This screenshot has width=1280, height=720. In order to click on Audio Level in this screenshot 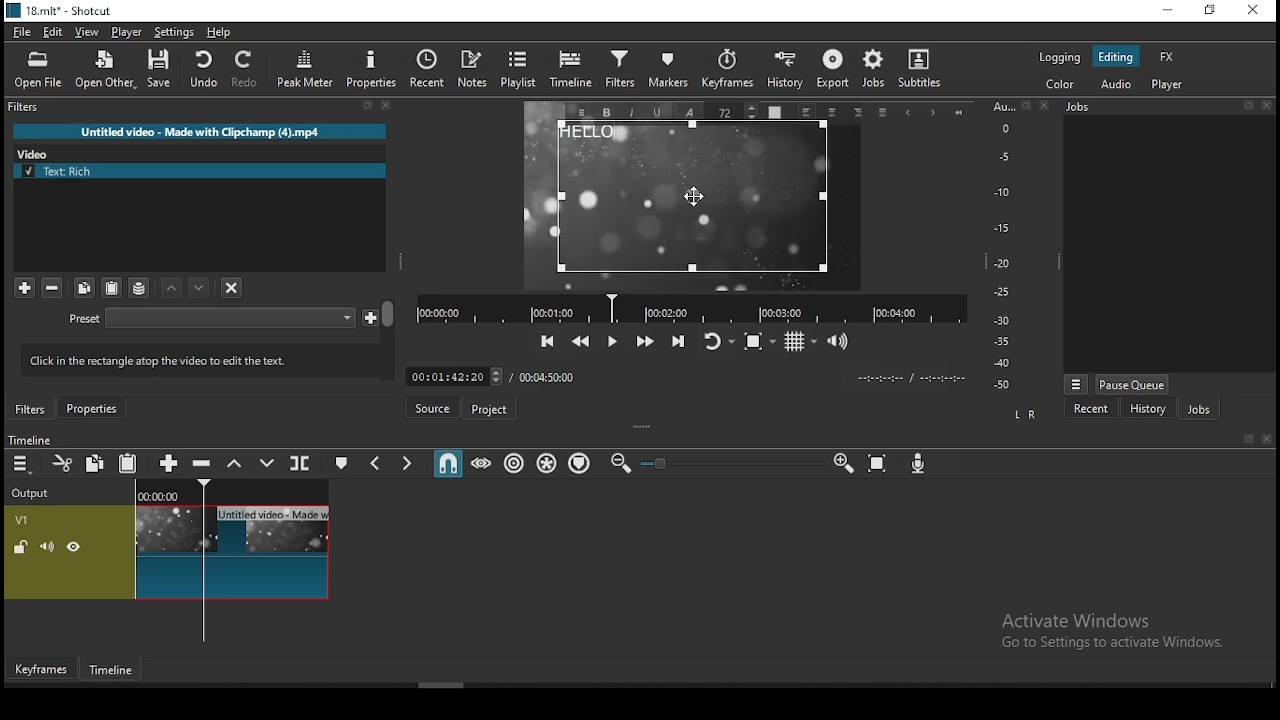, I will do `click(1009, 246)`.